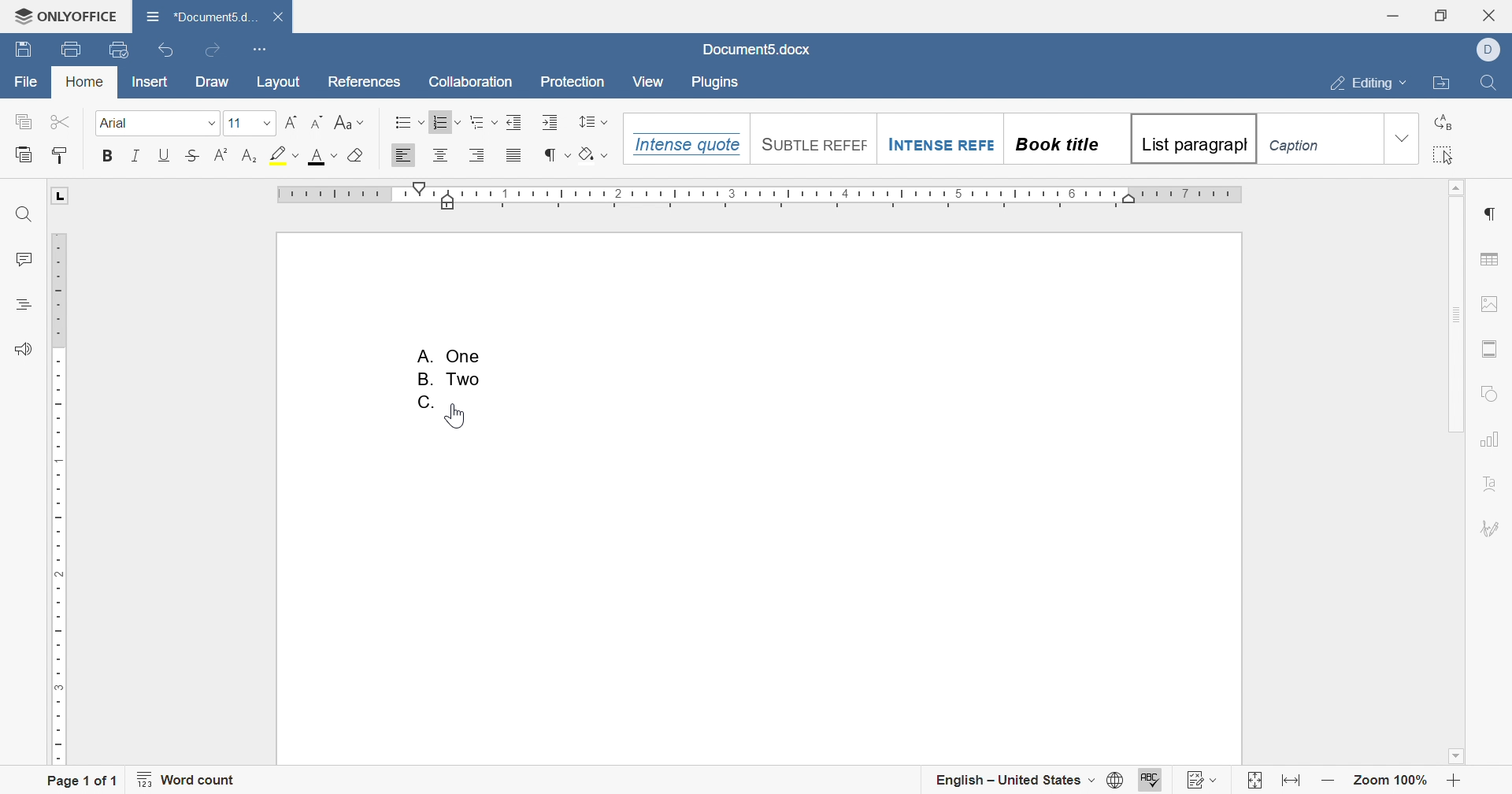  What do you see at coordinates (1331, 783) in the screenshot?
I see `zoom out` at bounding box center [1331, 783].